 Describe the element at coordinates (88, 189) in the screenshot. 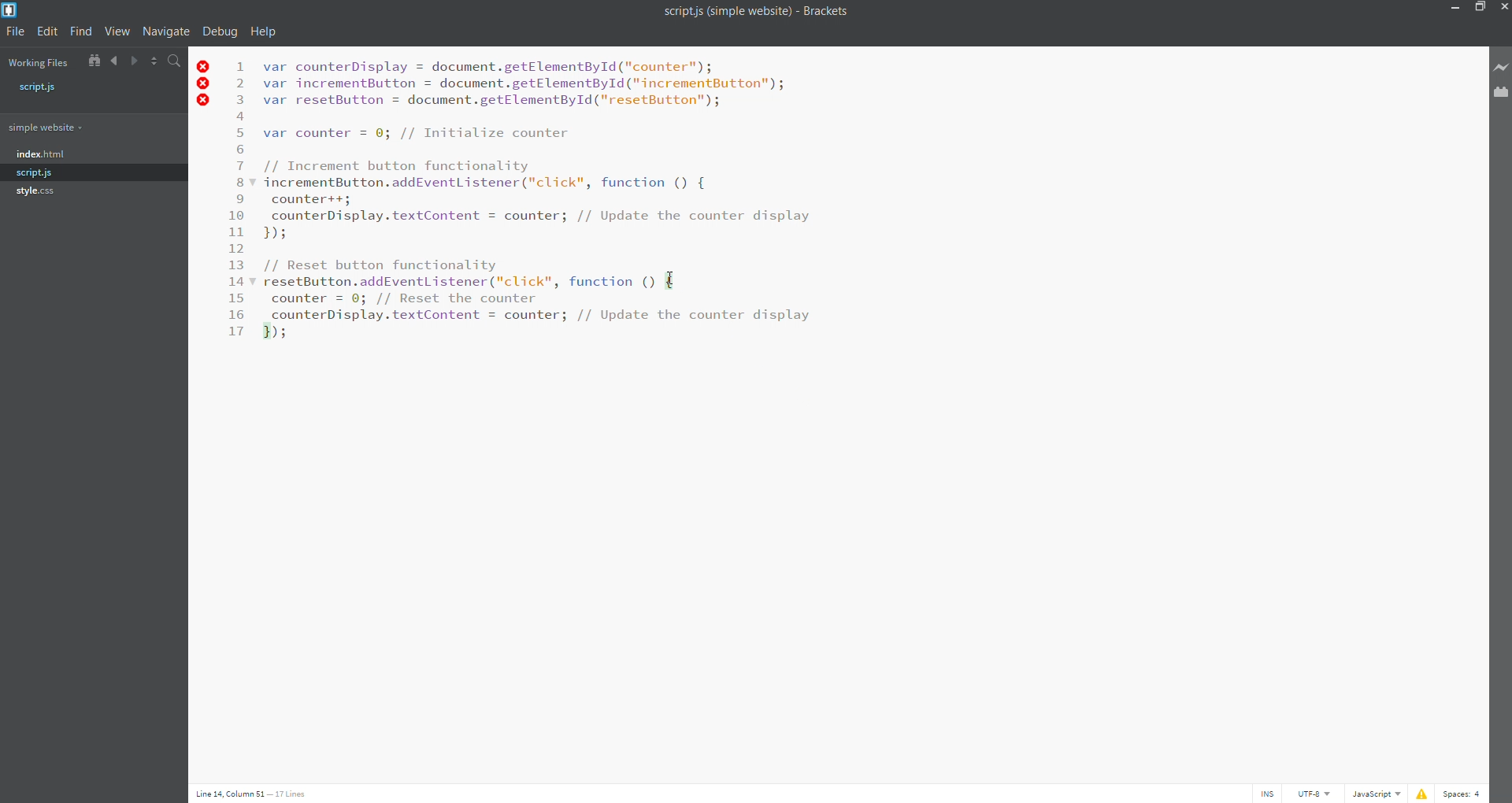

I see `style.css` at that location.